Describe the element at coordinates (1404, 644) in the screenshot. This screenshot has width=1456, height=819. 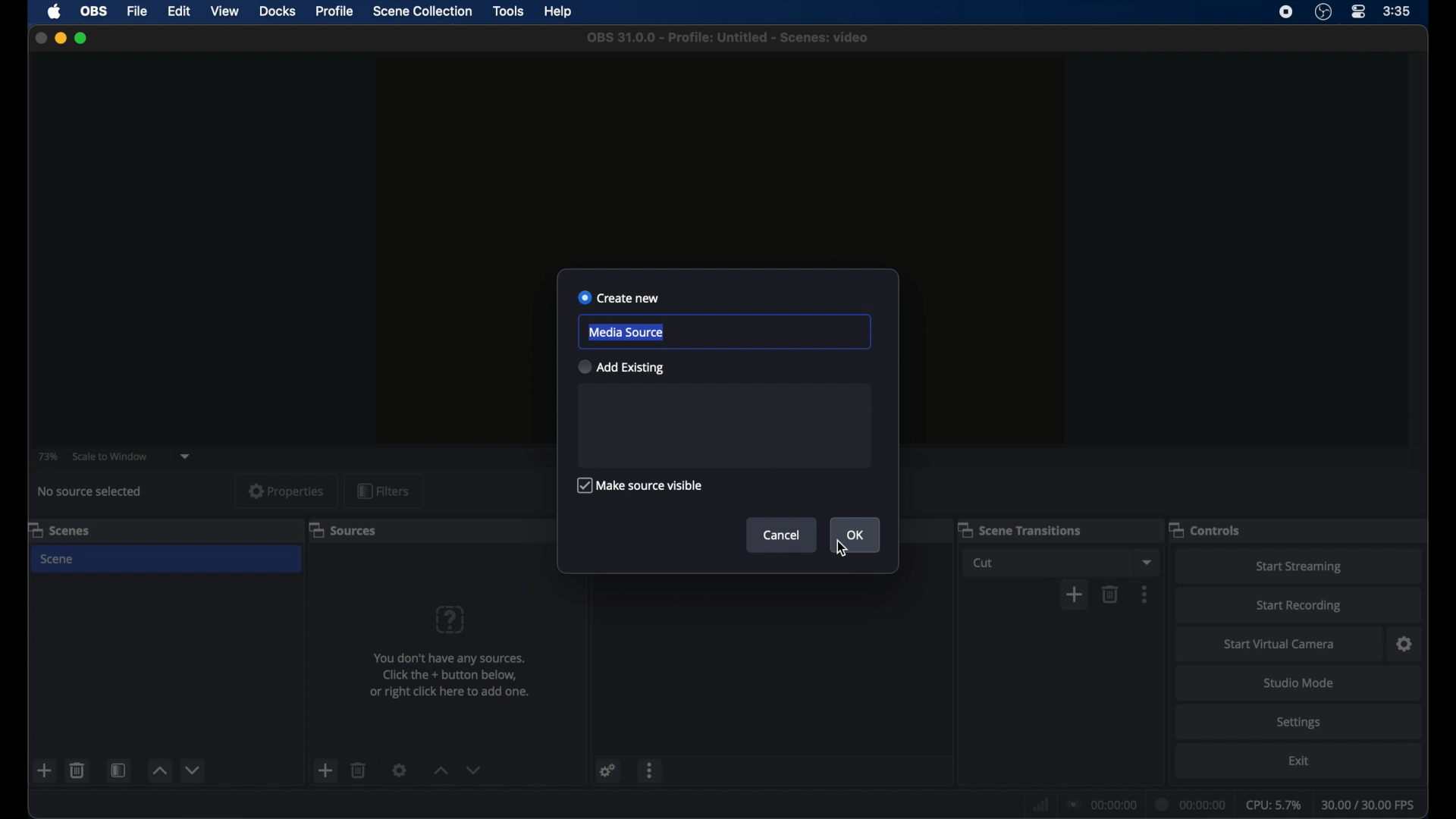
I see `settings` at that location.